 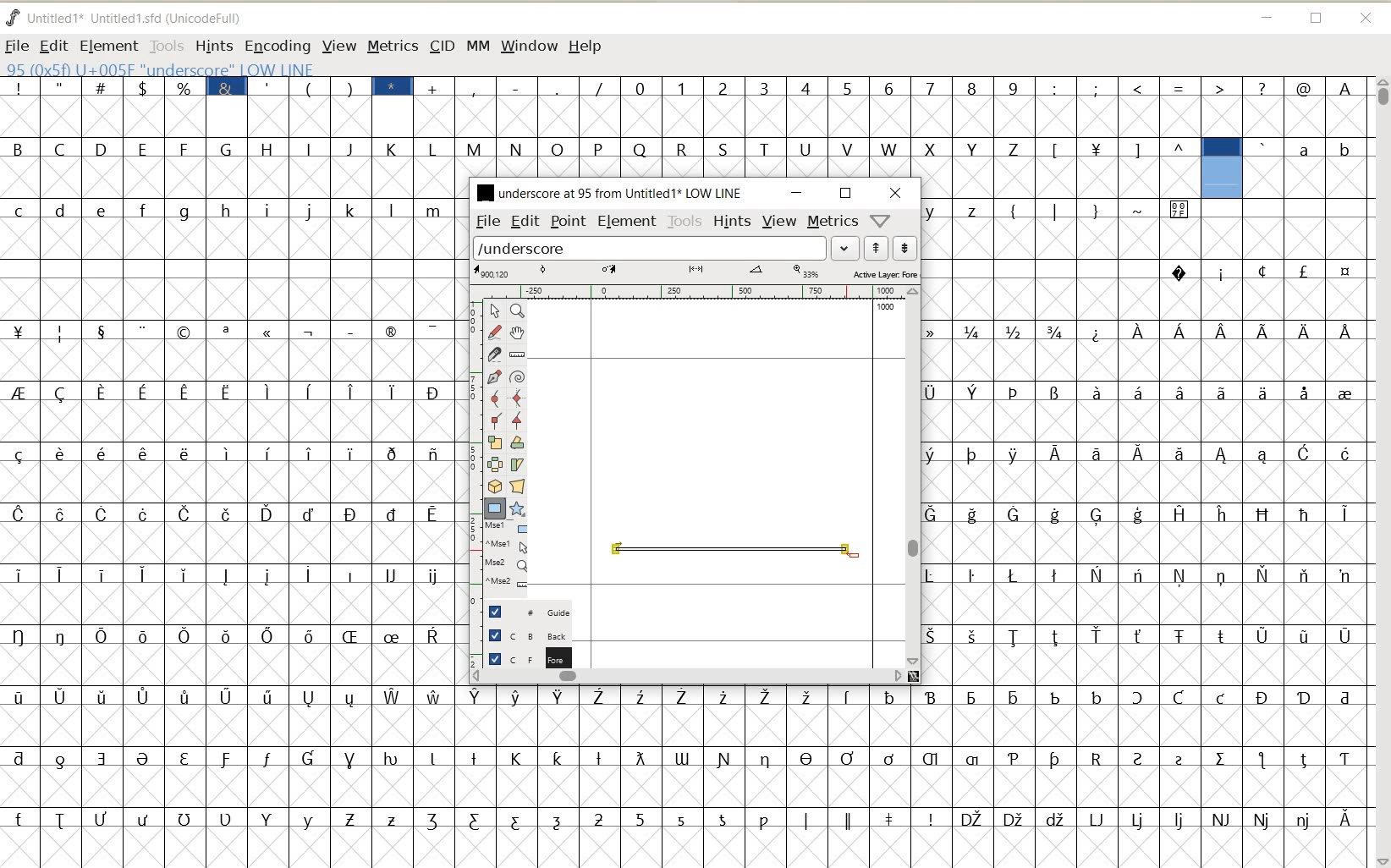 What do you see at coordinates (1381, 472) in the screenshot?
I see `SCROLLBAR` at bounding box center [1381, 472].